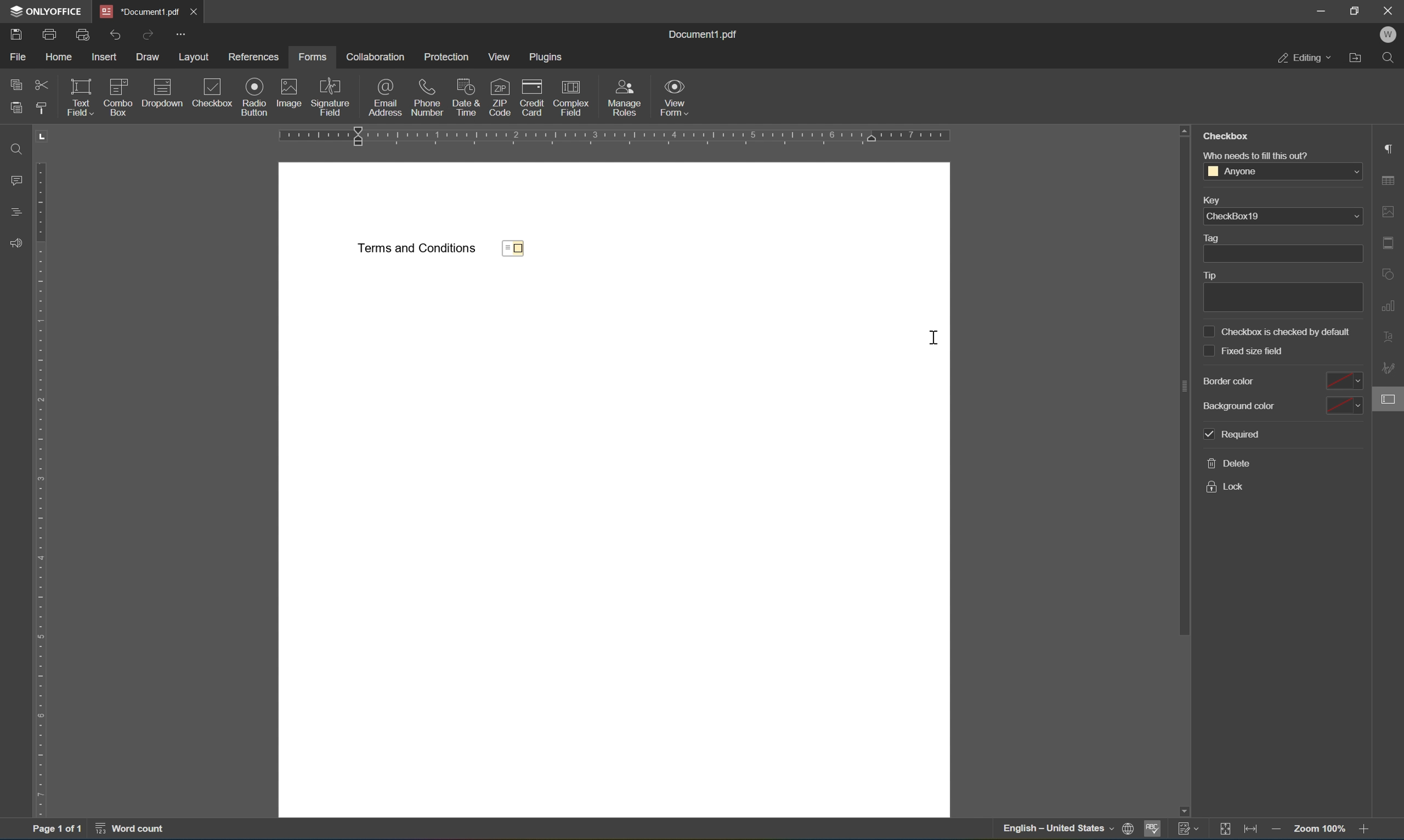 This screenshot has height=840, width=1404. What do you see at coordinates (330, 96) in the screenshot?
I see `signature field` at bounding box center [330, 96].